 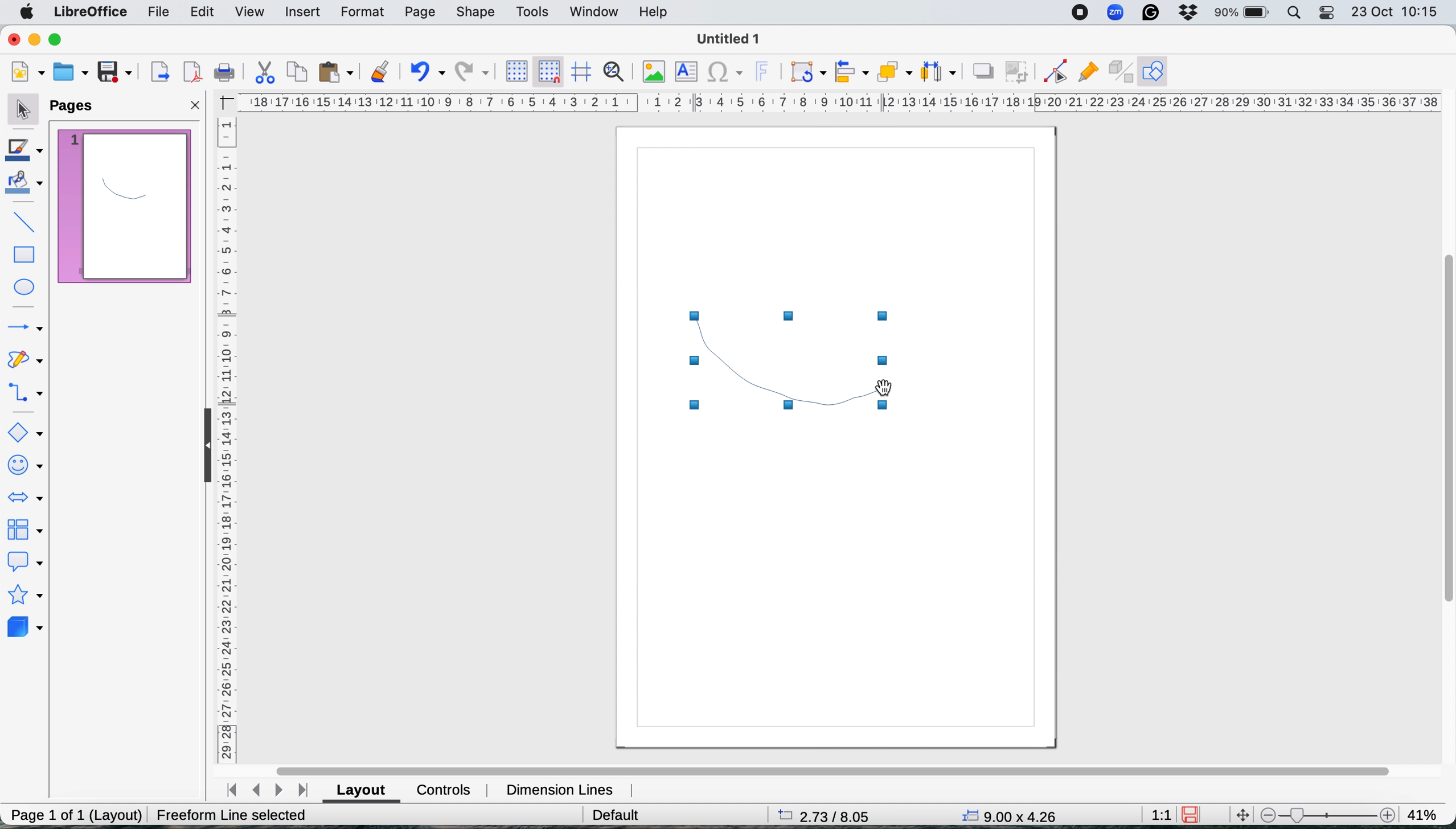 What do you see at coordinates (1395, 13) in the screenshot?
I see `date and time` at bounding box center [1395, 13].